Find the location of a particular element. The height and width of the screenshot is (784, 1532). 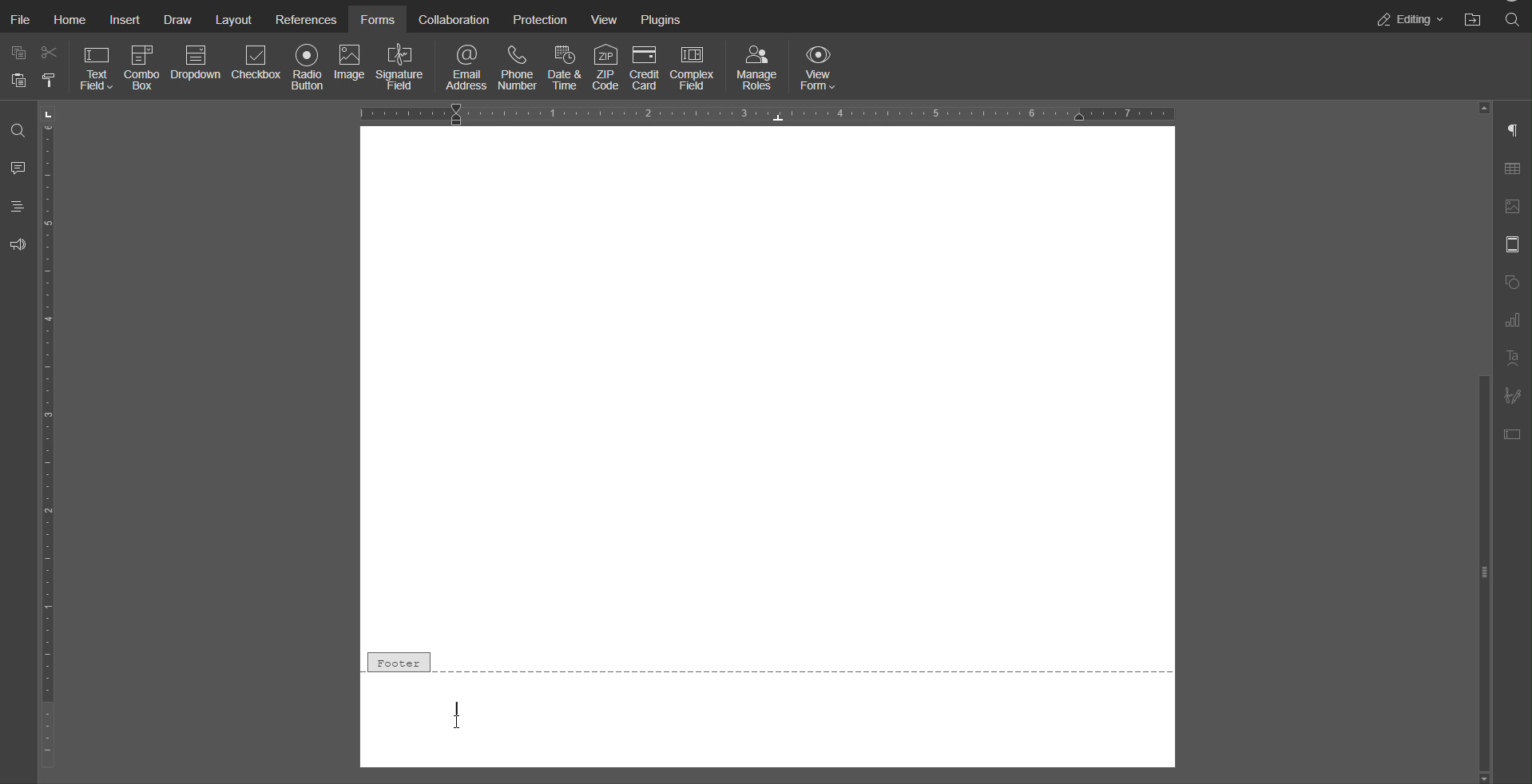

Signature Field is located at coordinates (404, 69).